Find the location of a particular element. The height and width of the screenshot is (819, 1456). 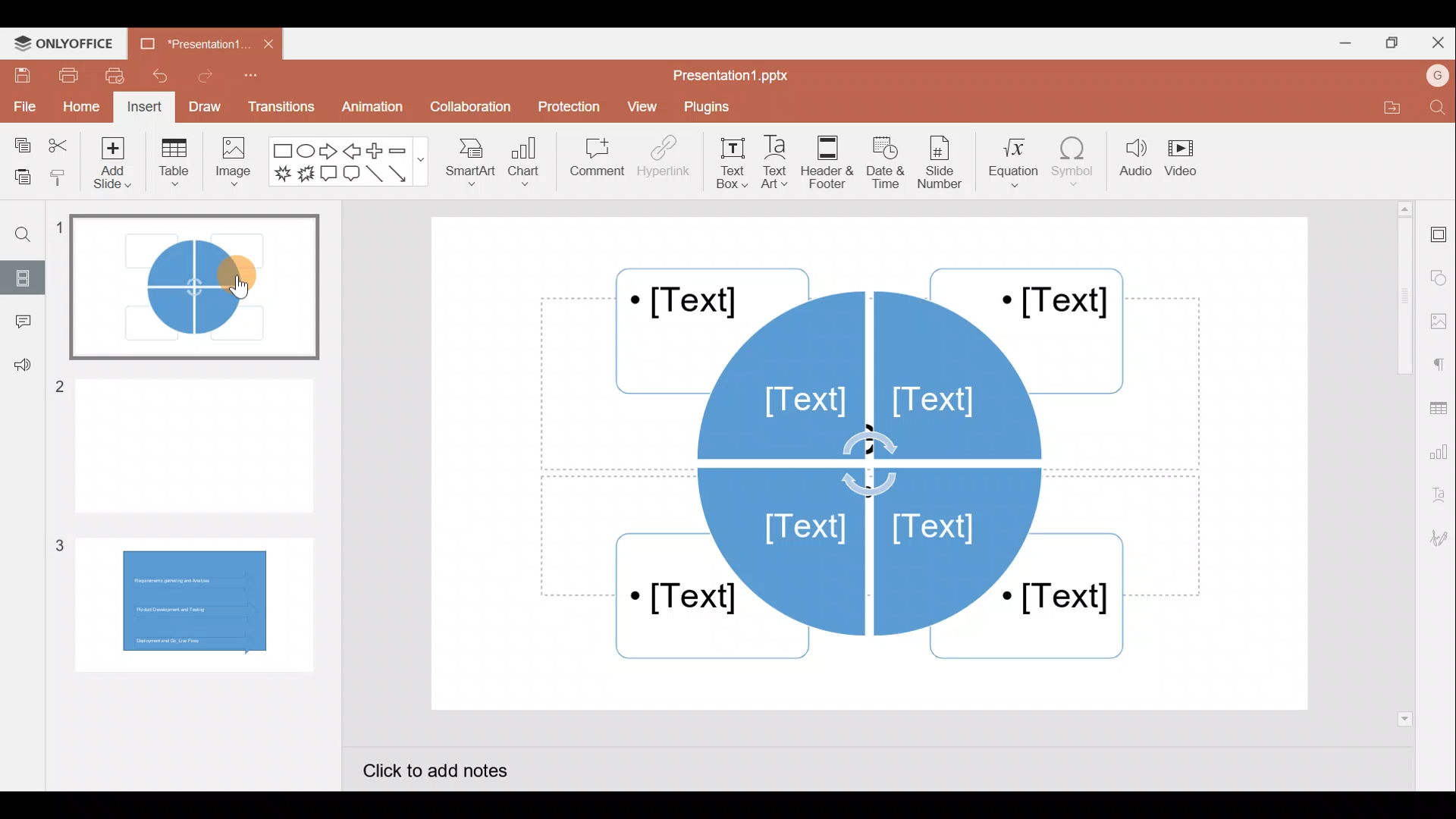

Click to add notes is located at coordinates (450, 767).